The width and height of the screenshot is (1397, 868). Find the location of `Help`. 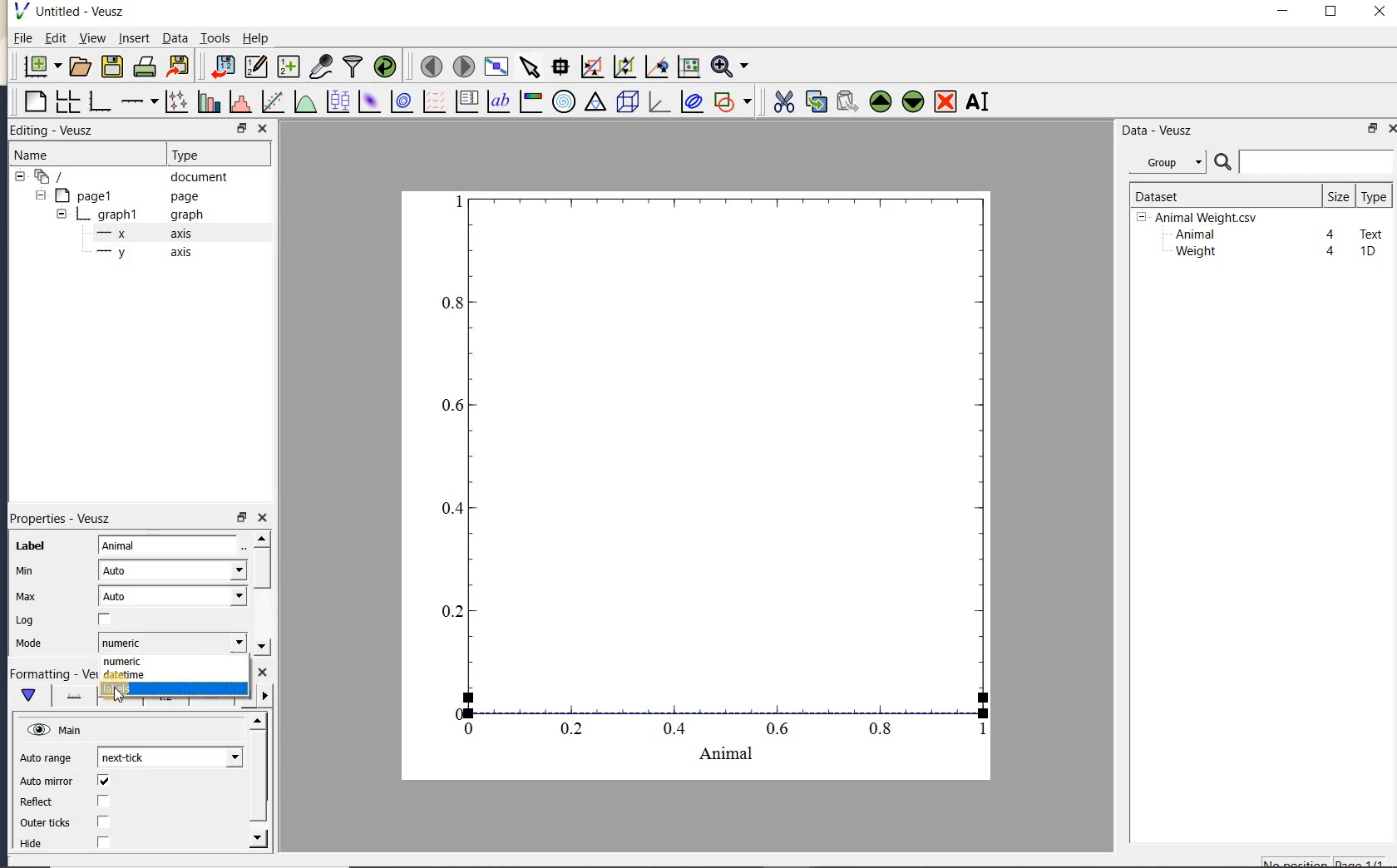

Help is located at coordinates (255, 38).